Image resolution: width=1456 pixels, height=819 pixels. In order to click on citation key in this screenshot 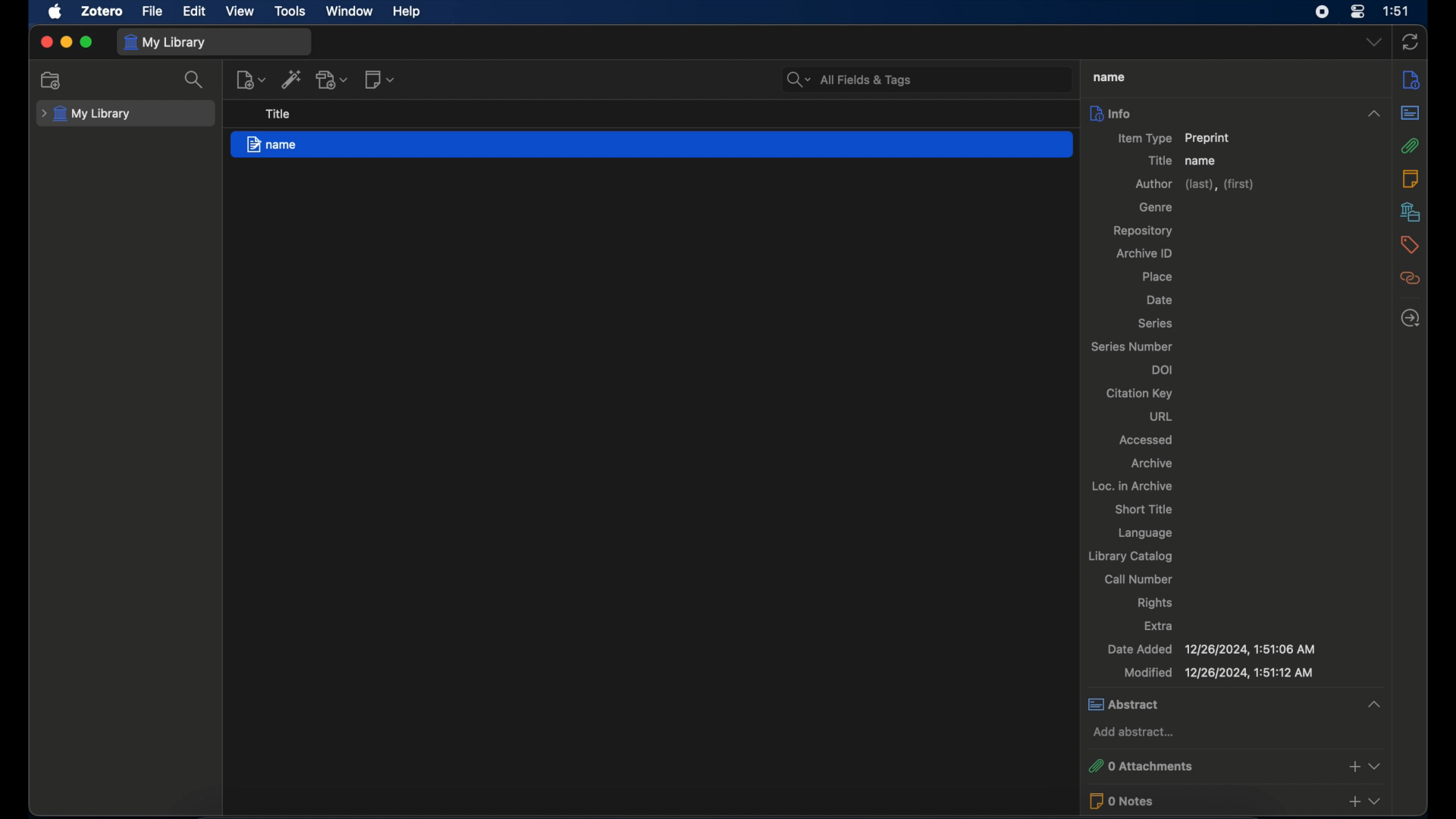, I will do `click(1141, 394)`.